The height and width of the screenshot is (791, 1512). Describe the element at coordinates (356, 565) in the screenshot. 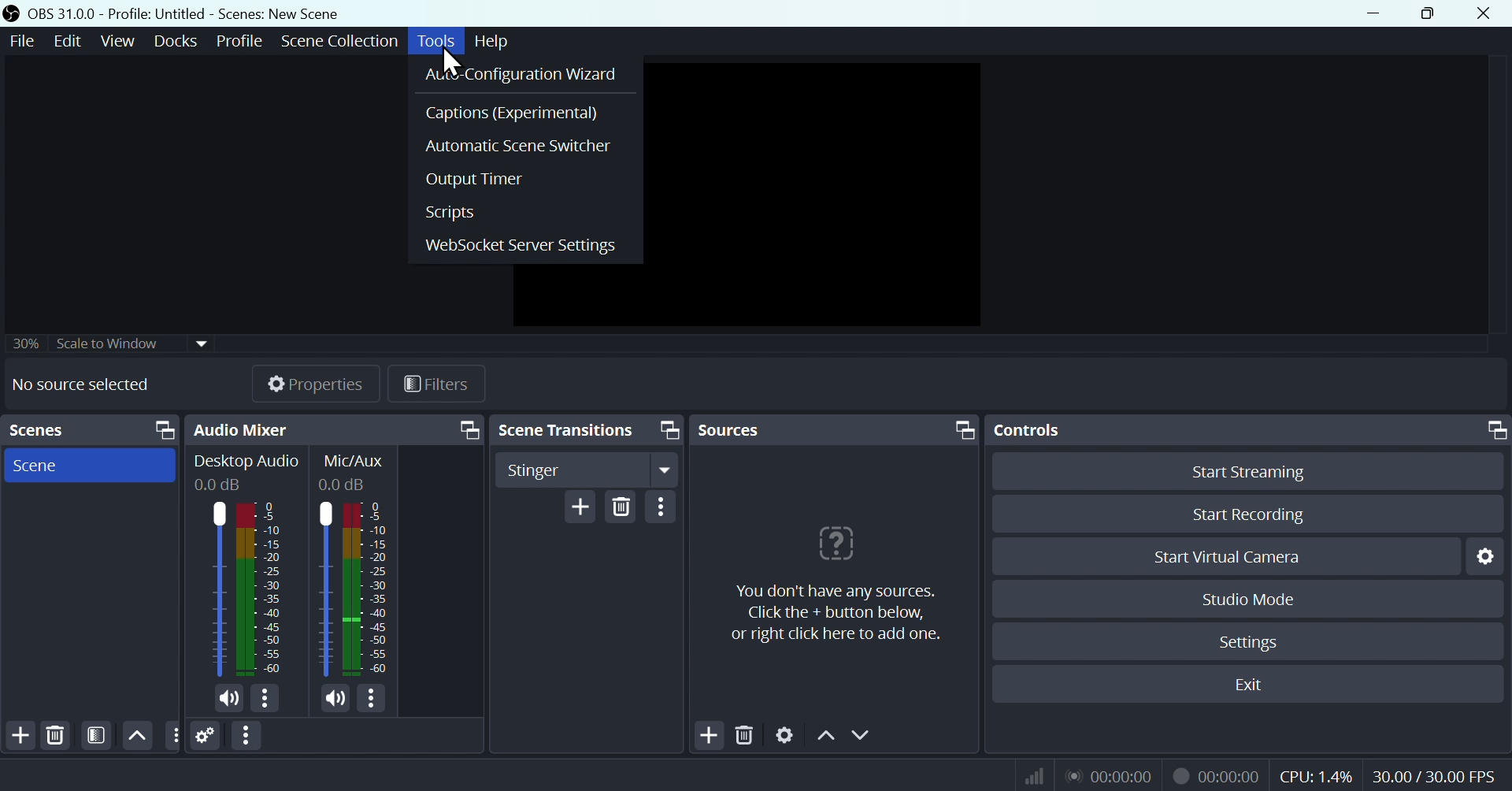

I see `Mic/Aux` at that location.